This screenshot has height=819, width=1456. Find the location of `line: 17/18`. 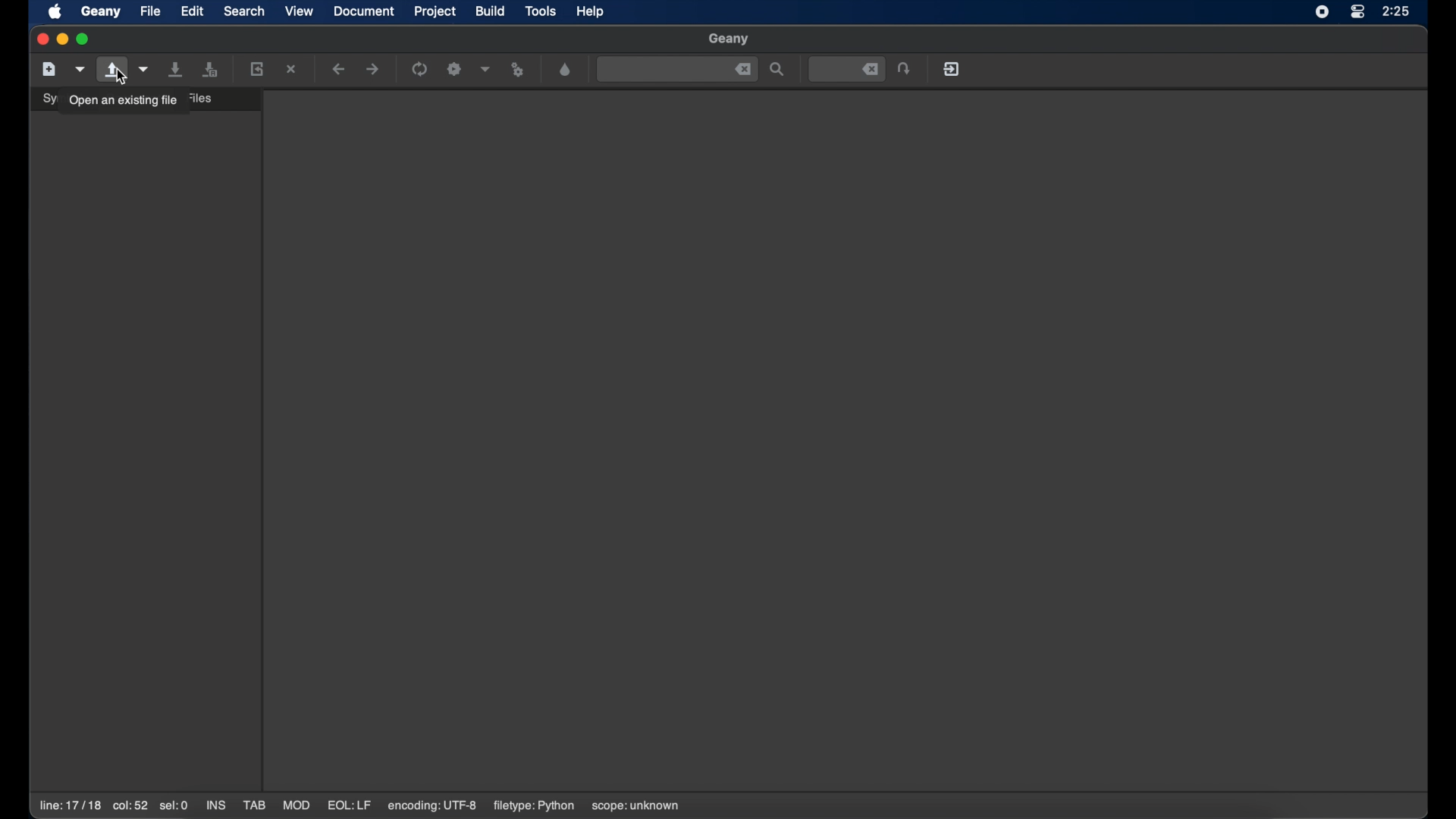

line: 17/18 is located at coordinates (69, 806).